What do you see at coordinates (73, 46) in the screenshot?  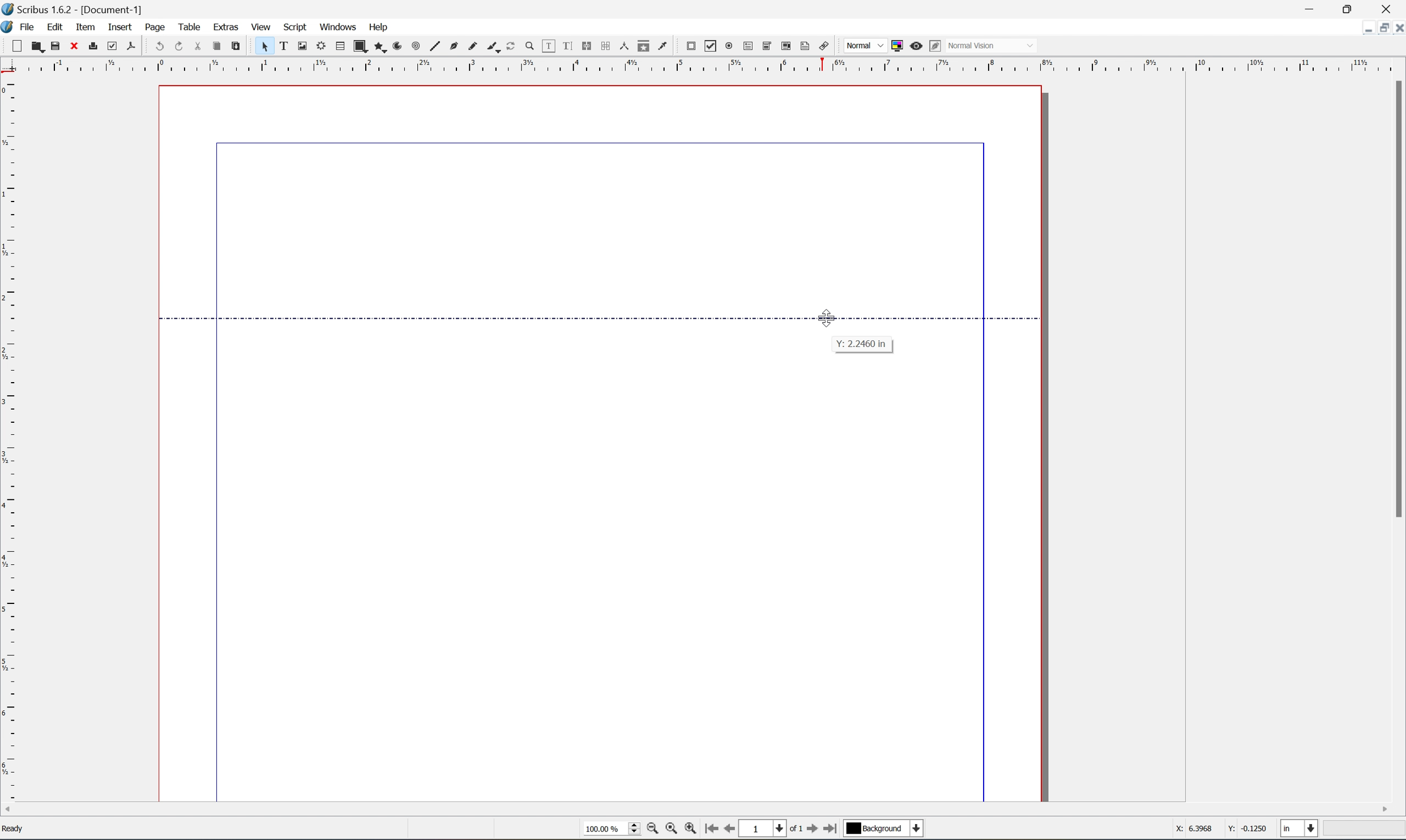 I see `close` at bounding box center [73, 46].